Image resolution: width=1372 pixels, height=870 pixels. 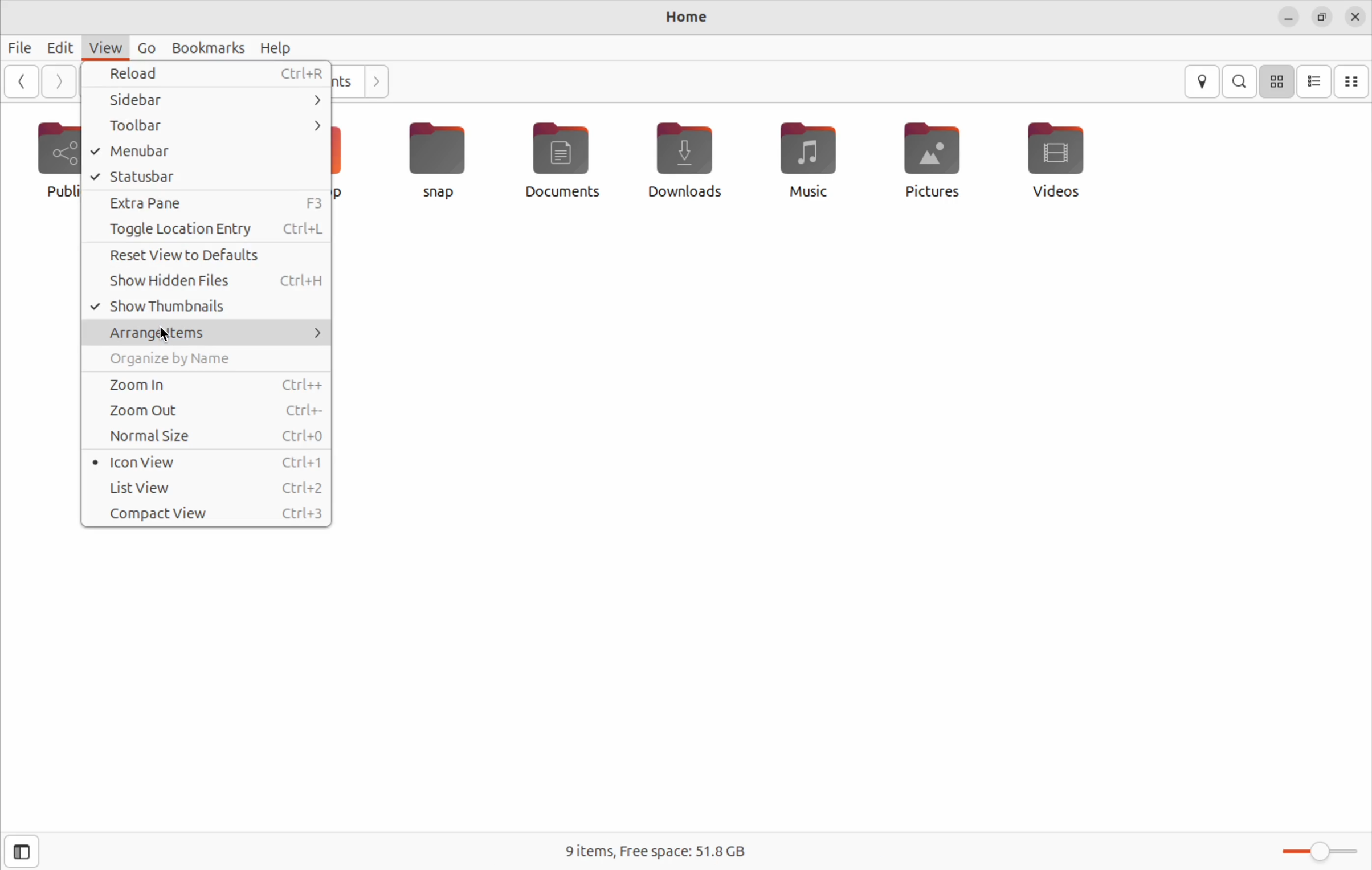 I want to click on minimize, so click(x=1290, y=16).